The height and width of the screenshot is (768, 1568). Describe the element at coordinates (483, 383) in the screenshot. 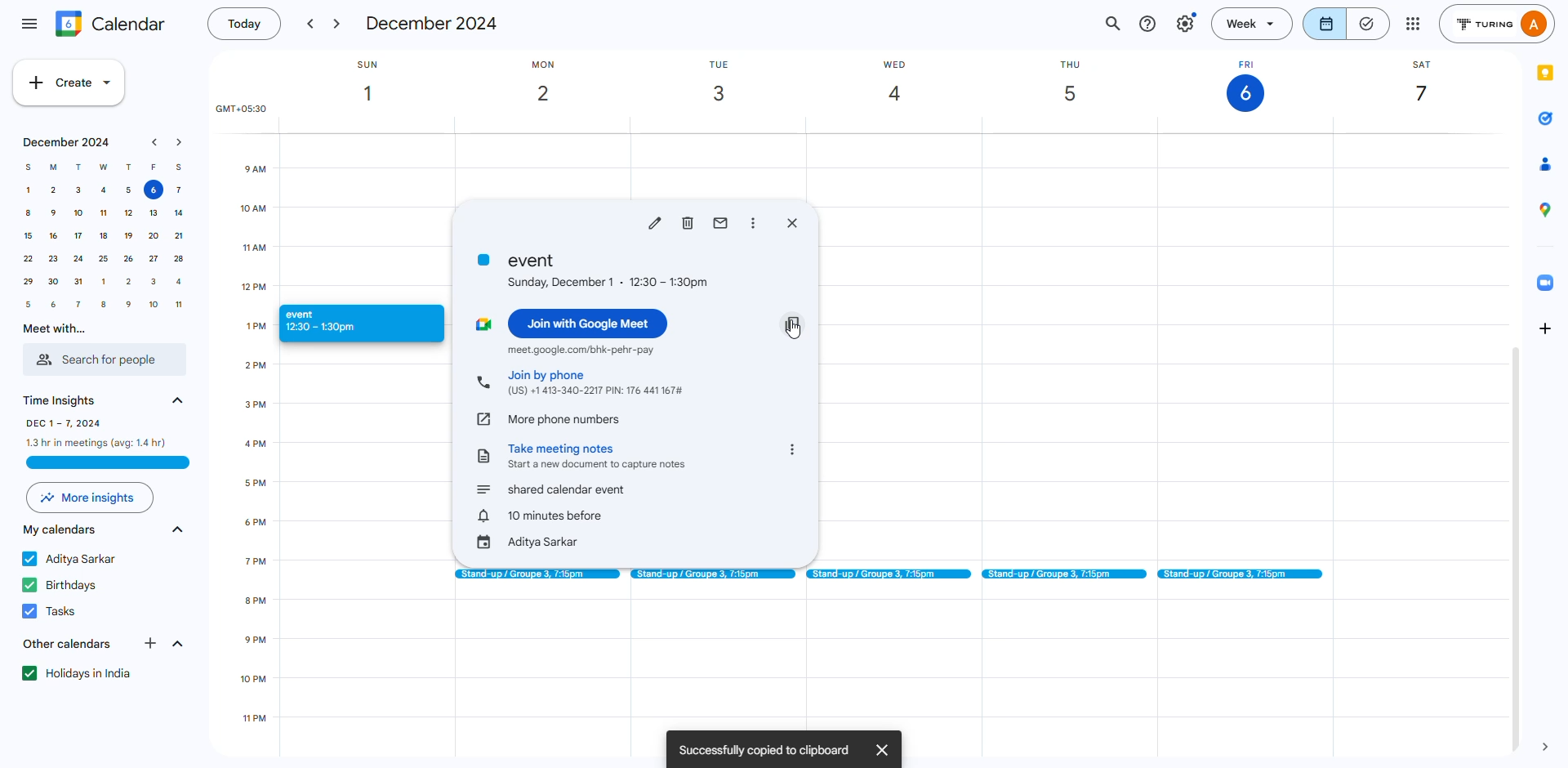

I see `phone` at that location.